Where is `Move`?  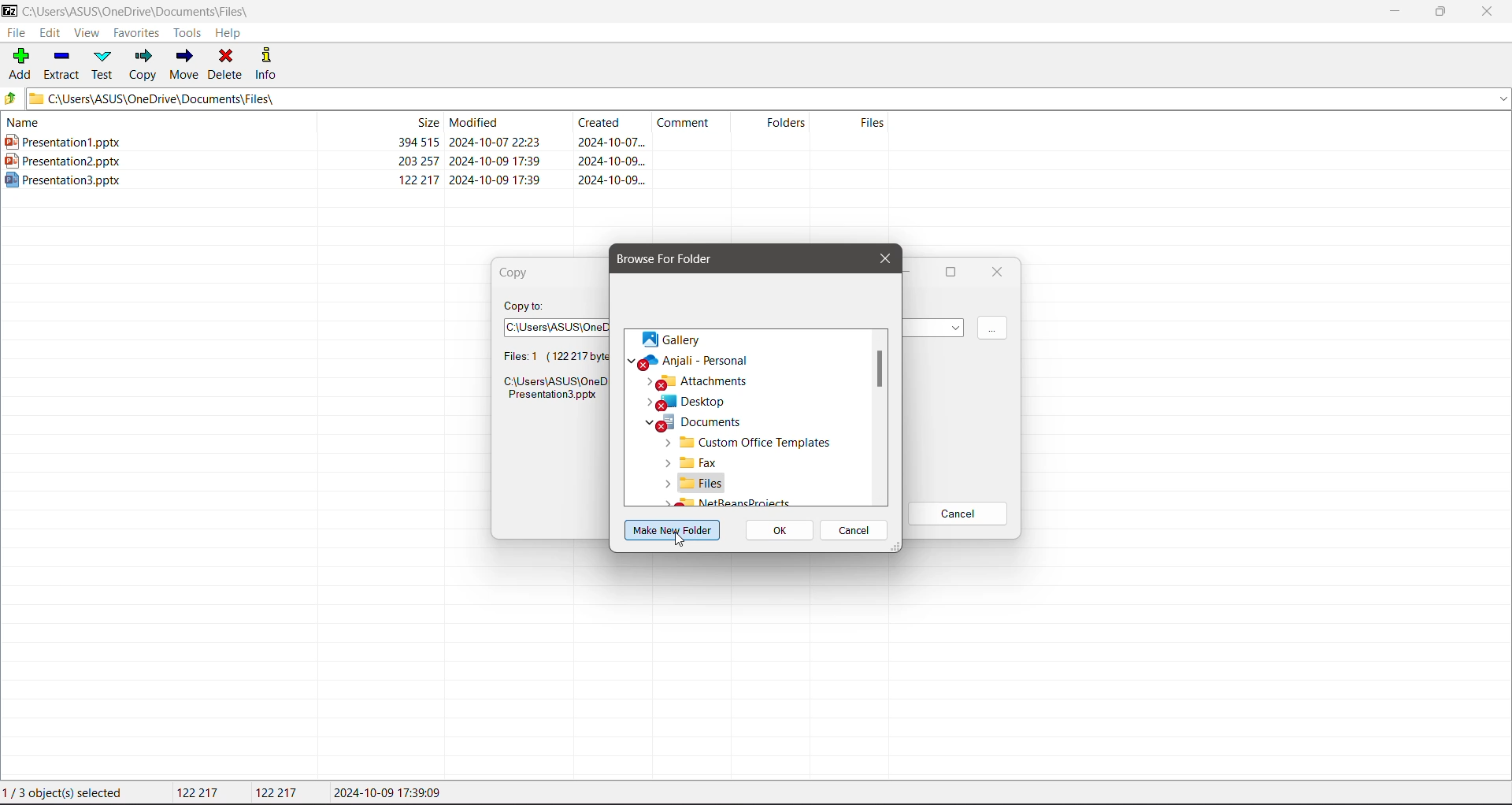 Move is located at coordinates (184, 62).